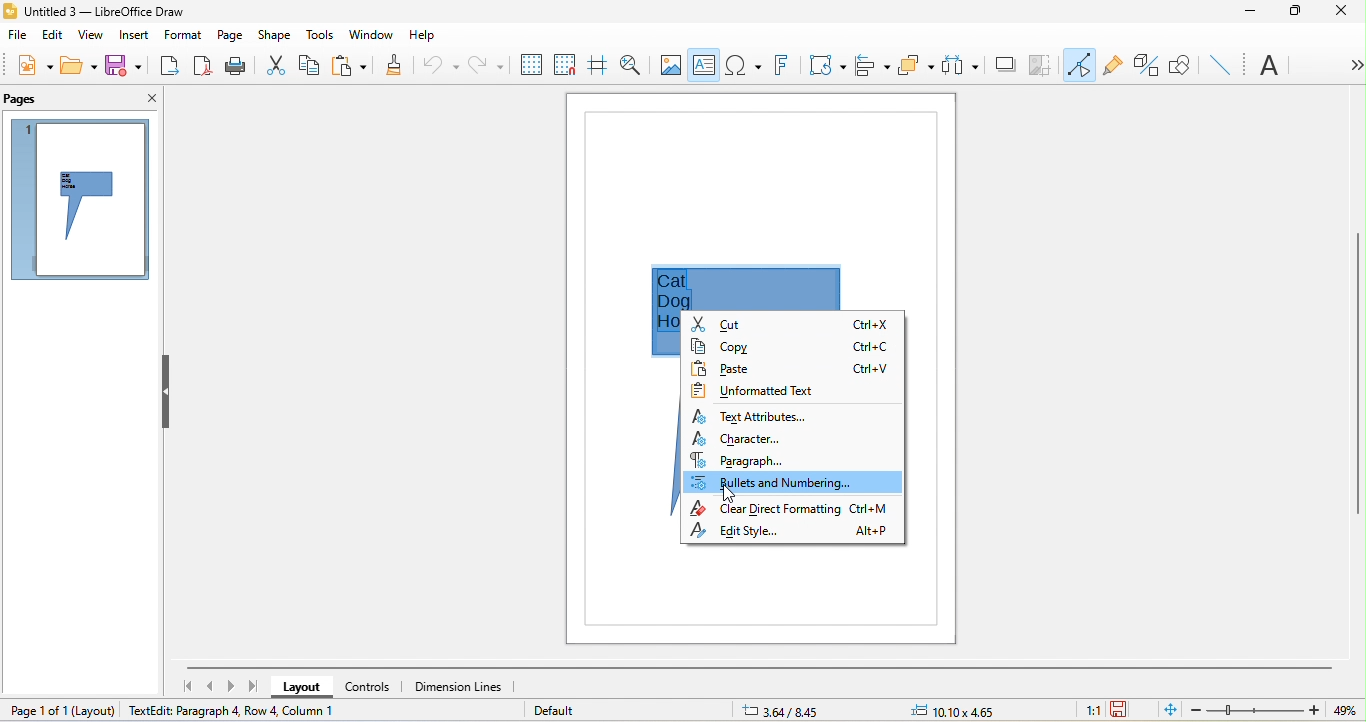  I want to click on vertical scroll bar, so click(1357, 377).